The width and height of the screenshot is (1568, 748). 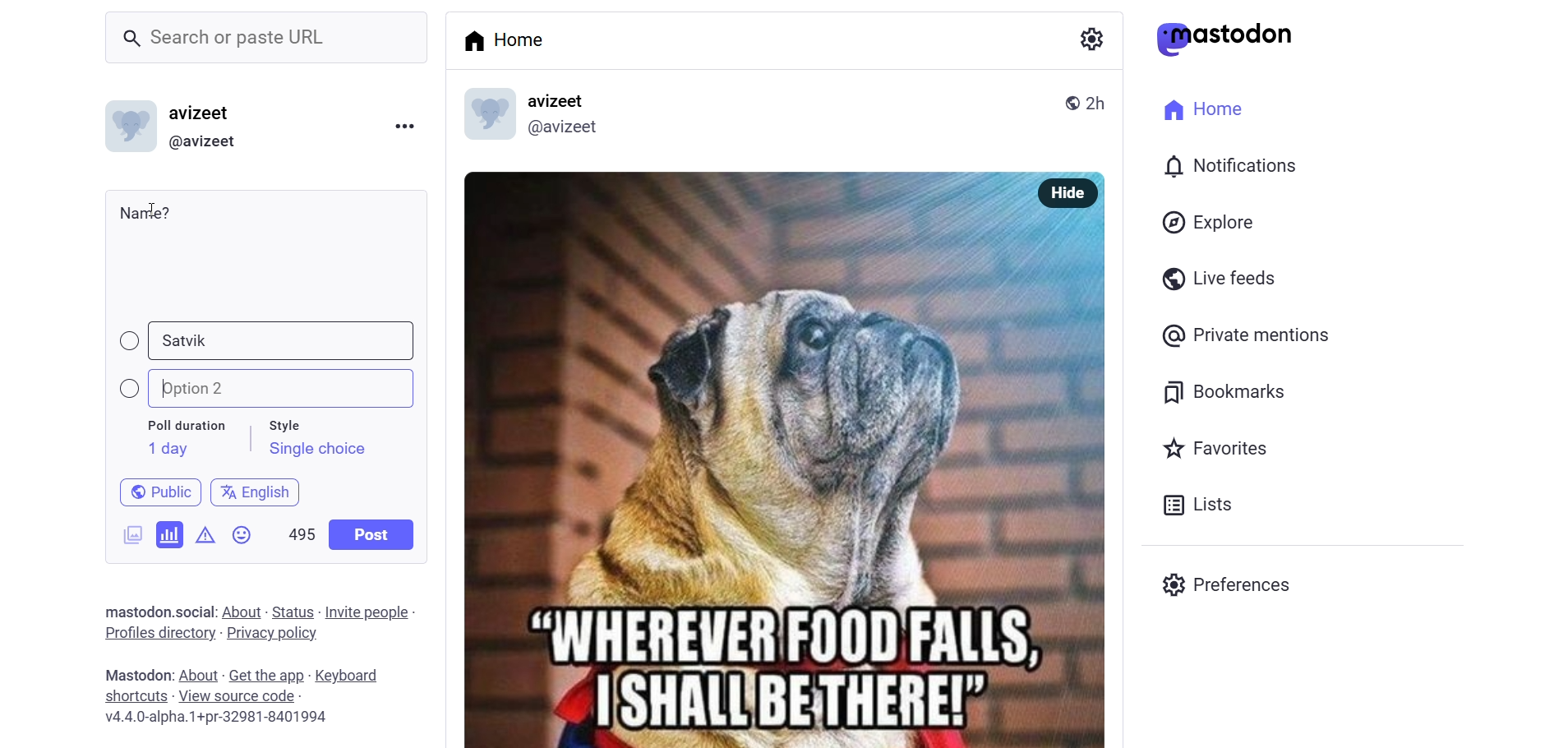 What do you see at coordinates (316, 451) in the screenshot?
I see `single choice` at bounding box center [316, 451].